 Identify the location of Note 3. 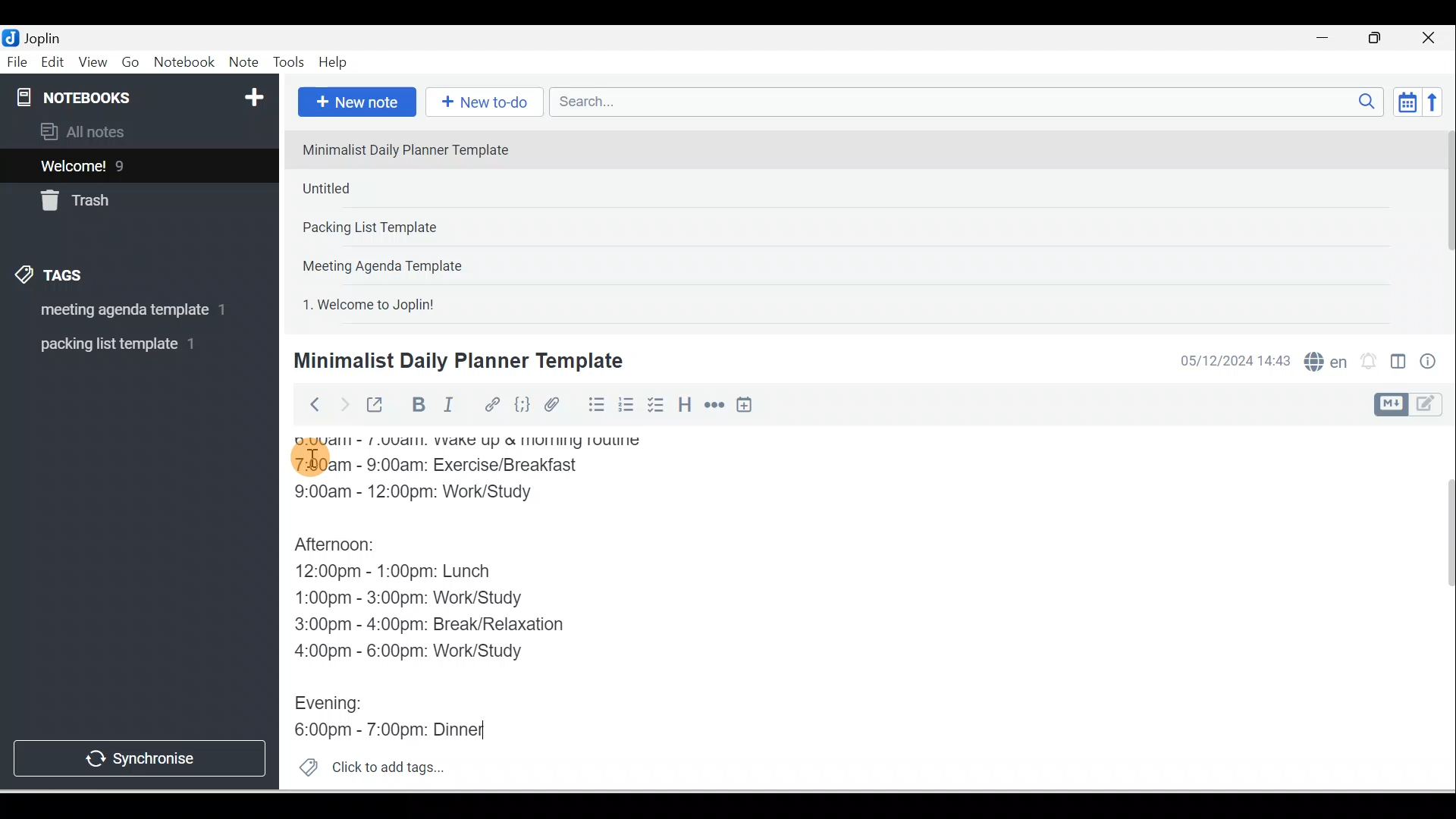
(418, 228).